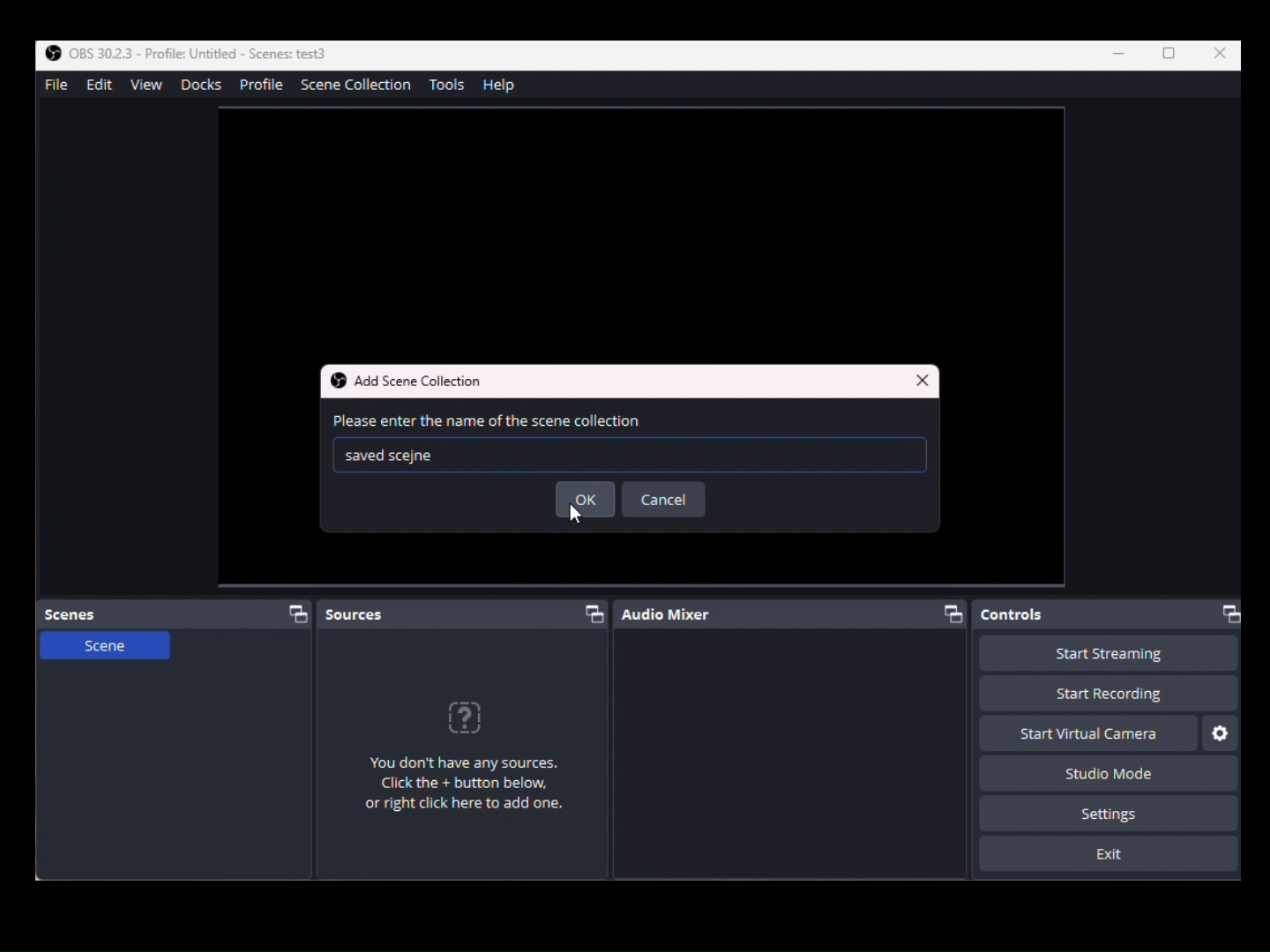 The width and height of the screenshot is (1270, 952). What do you see at coordinates (96, 86) in the screenshot?
I see `Edit` at bounding box center [96, 86].